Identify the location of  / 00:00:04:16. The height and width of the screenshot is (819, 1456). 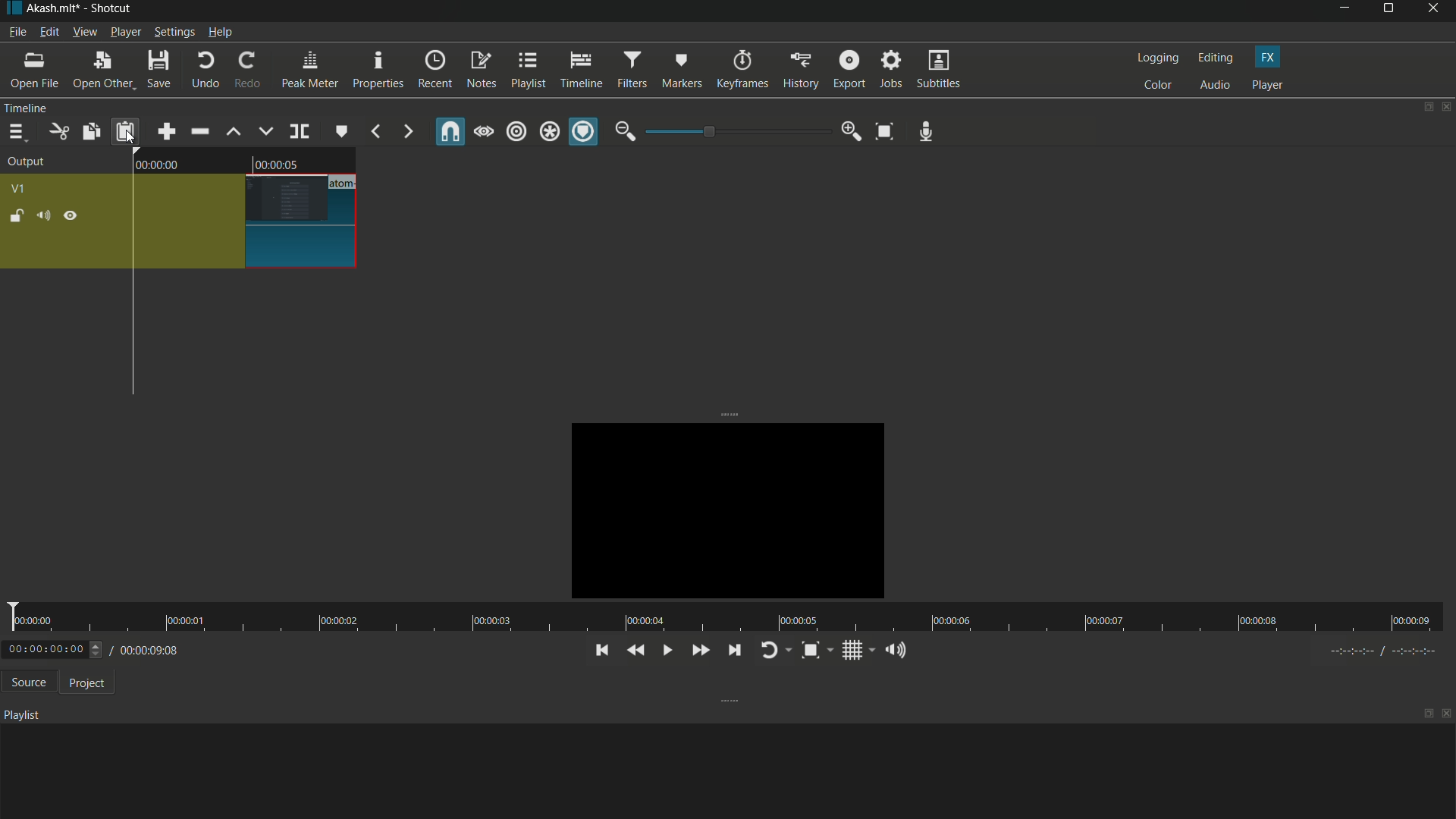
(152, 649).